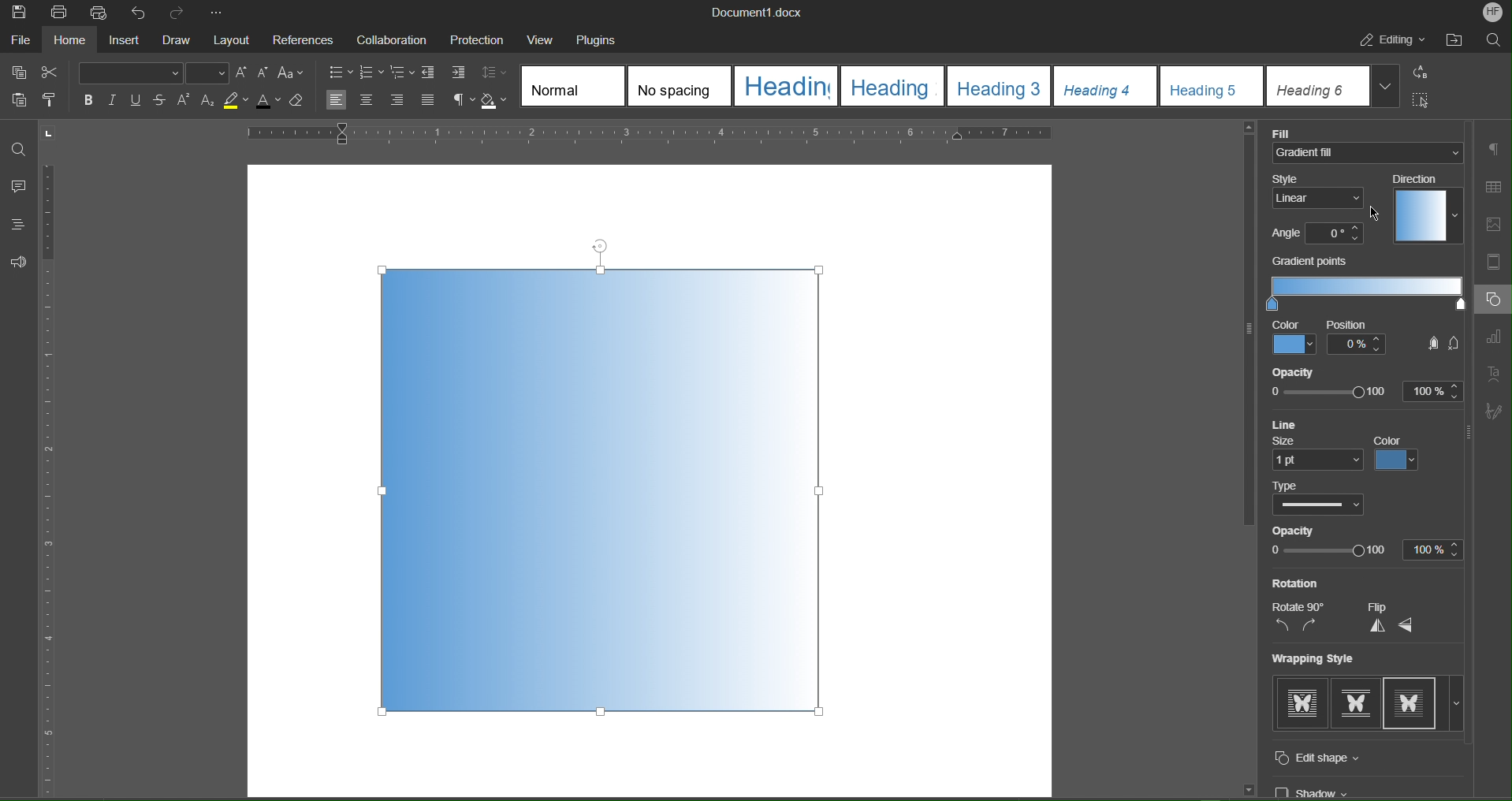  Describe the element at coordinates (1293, 345) in the screenshot. I see `Colors` at that location.